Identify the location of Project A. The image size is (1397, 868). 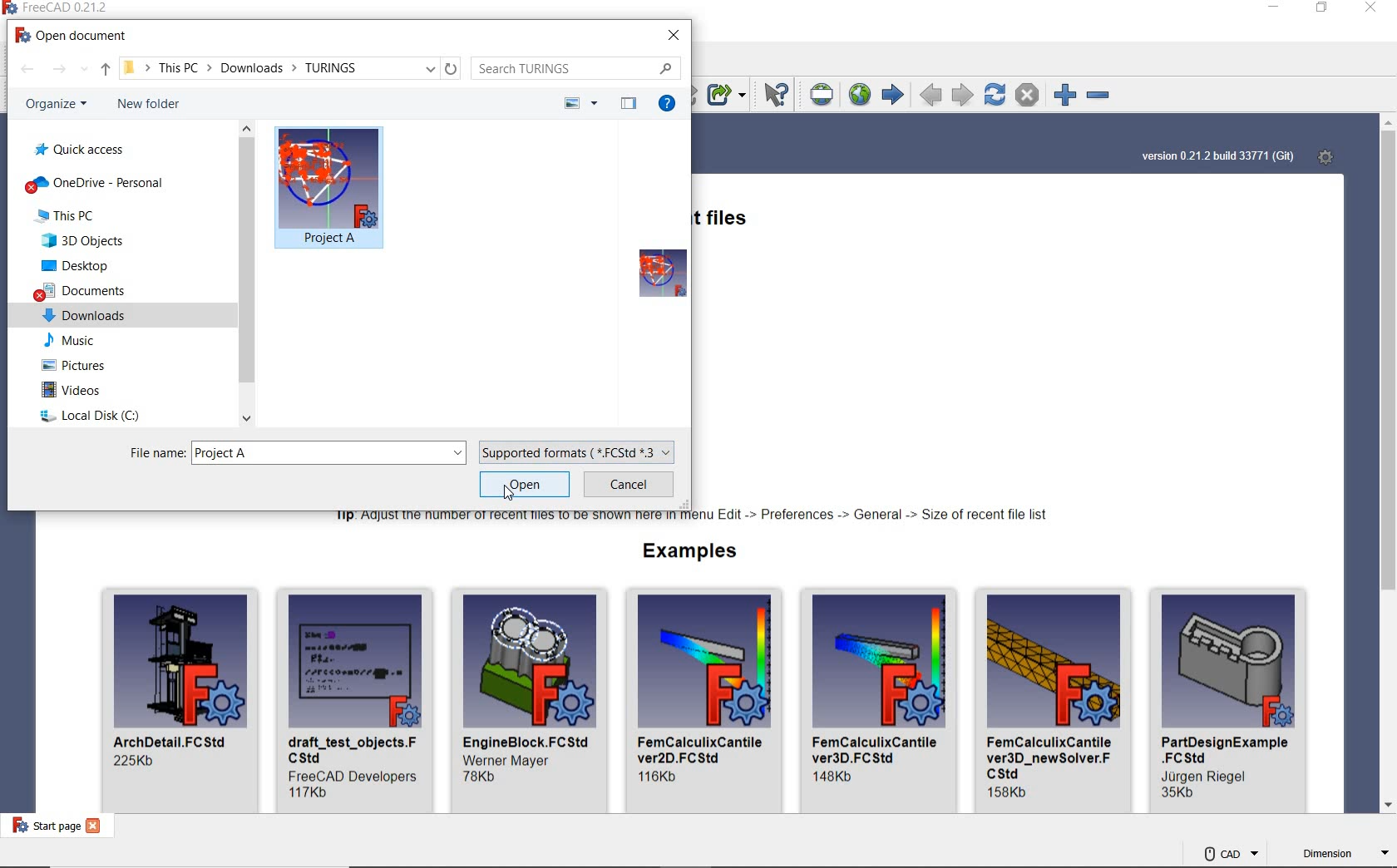
(330, 238).